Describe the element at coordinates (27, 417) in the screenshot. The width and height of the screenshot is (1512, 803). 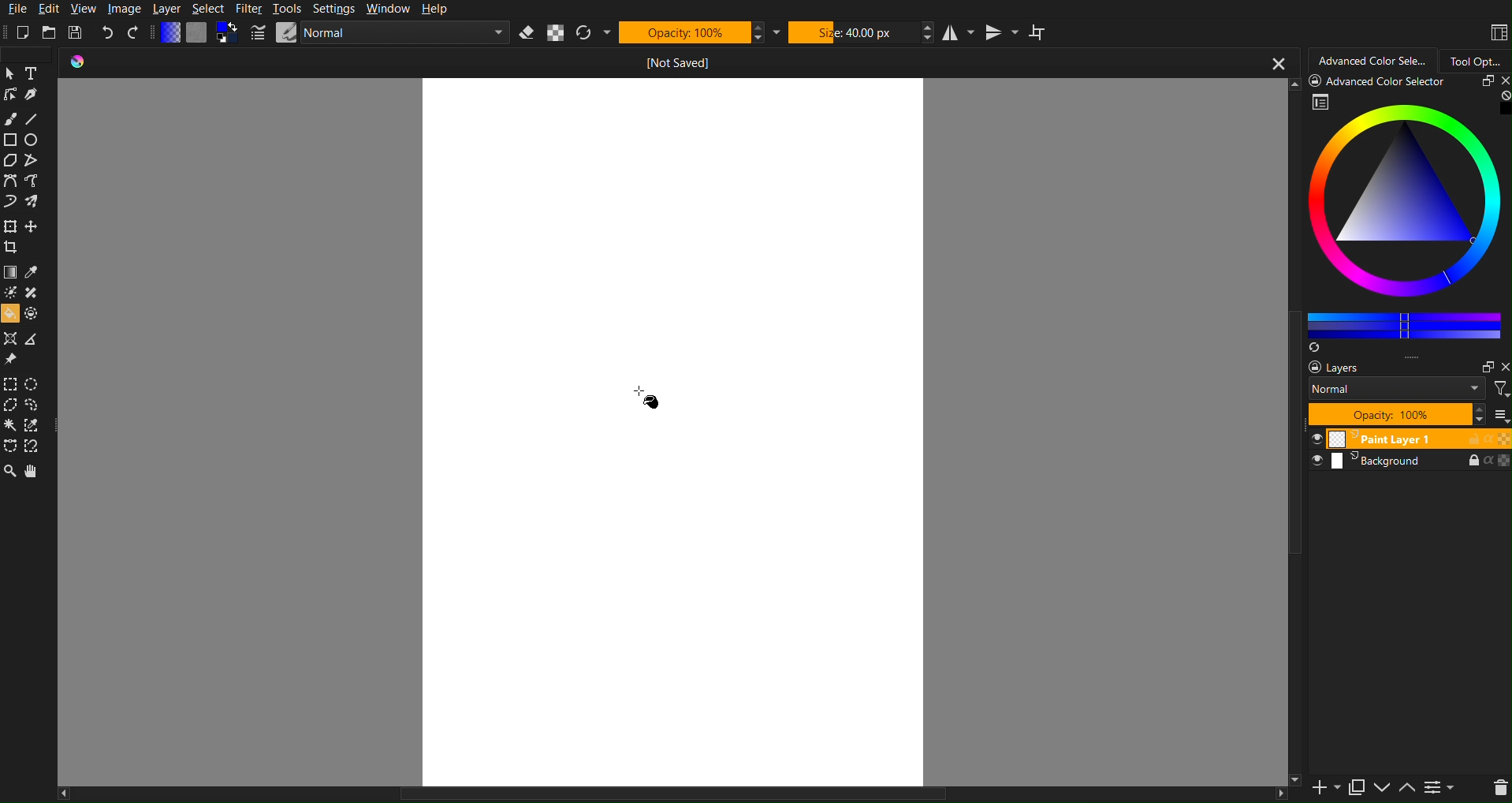
I see `Selection Tools` at that location.